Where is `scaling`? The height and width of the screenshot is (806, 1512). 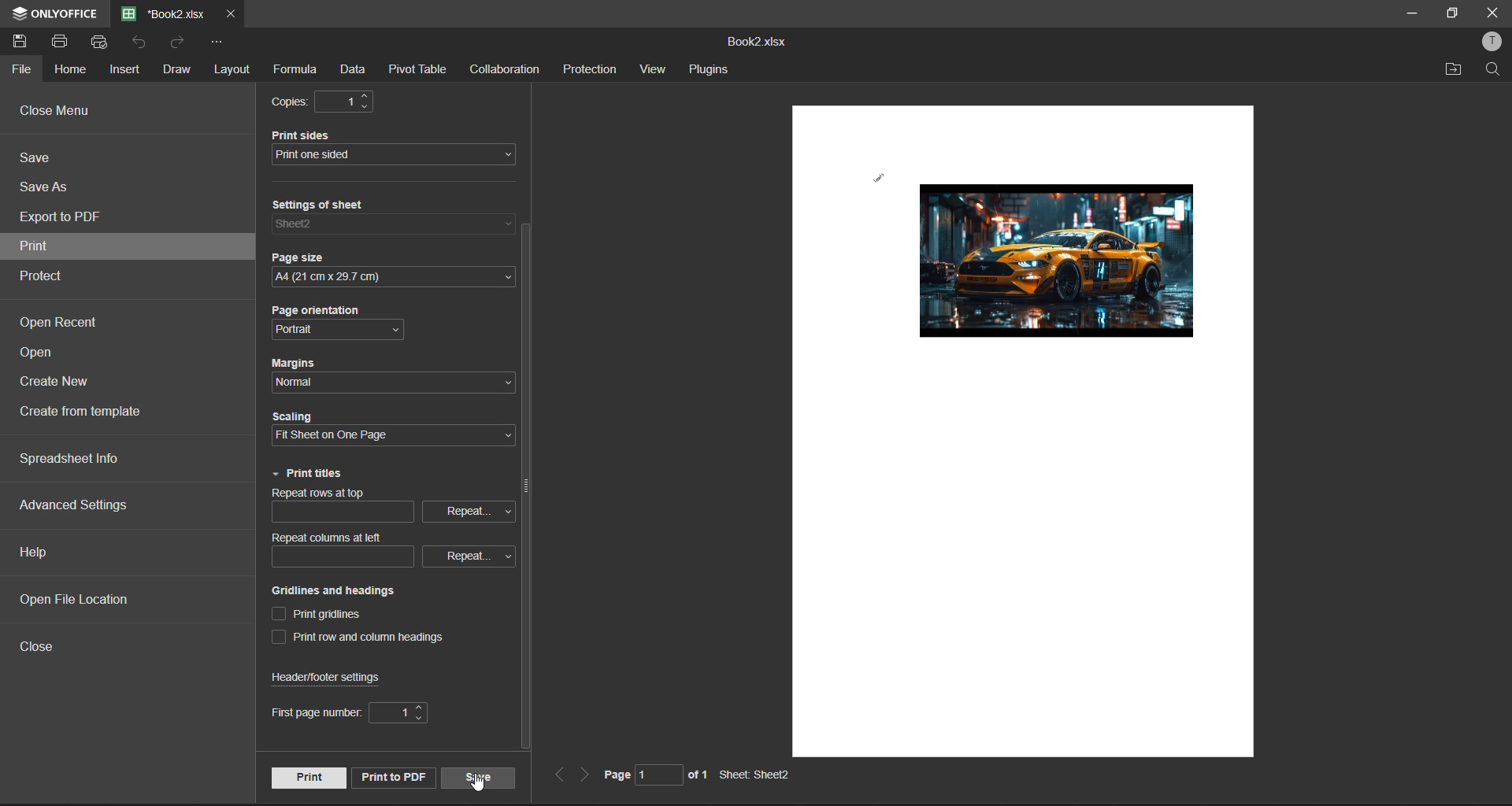
scaling is located at coordinates (299, 418).